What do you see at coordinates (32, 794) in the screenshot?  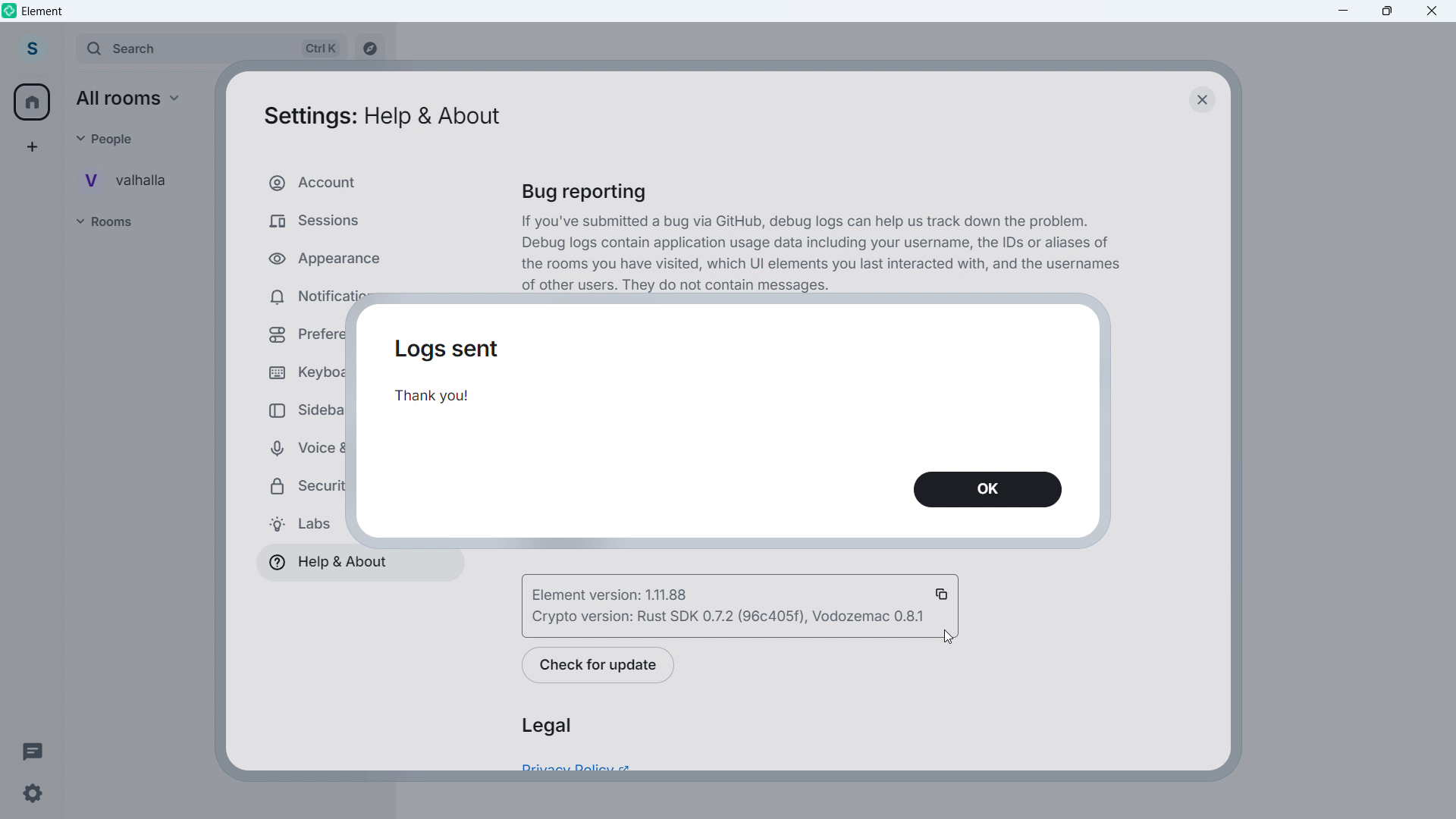 I see `Settings ` at bounding box center [32, 794].